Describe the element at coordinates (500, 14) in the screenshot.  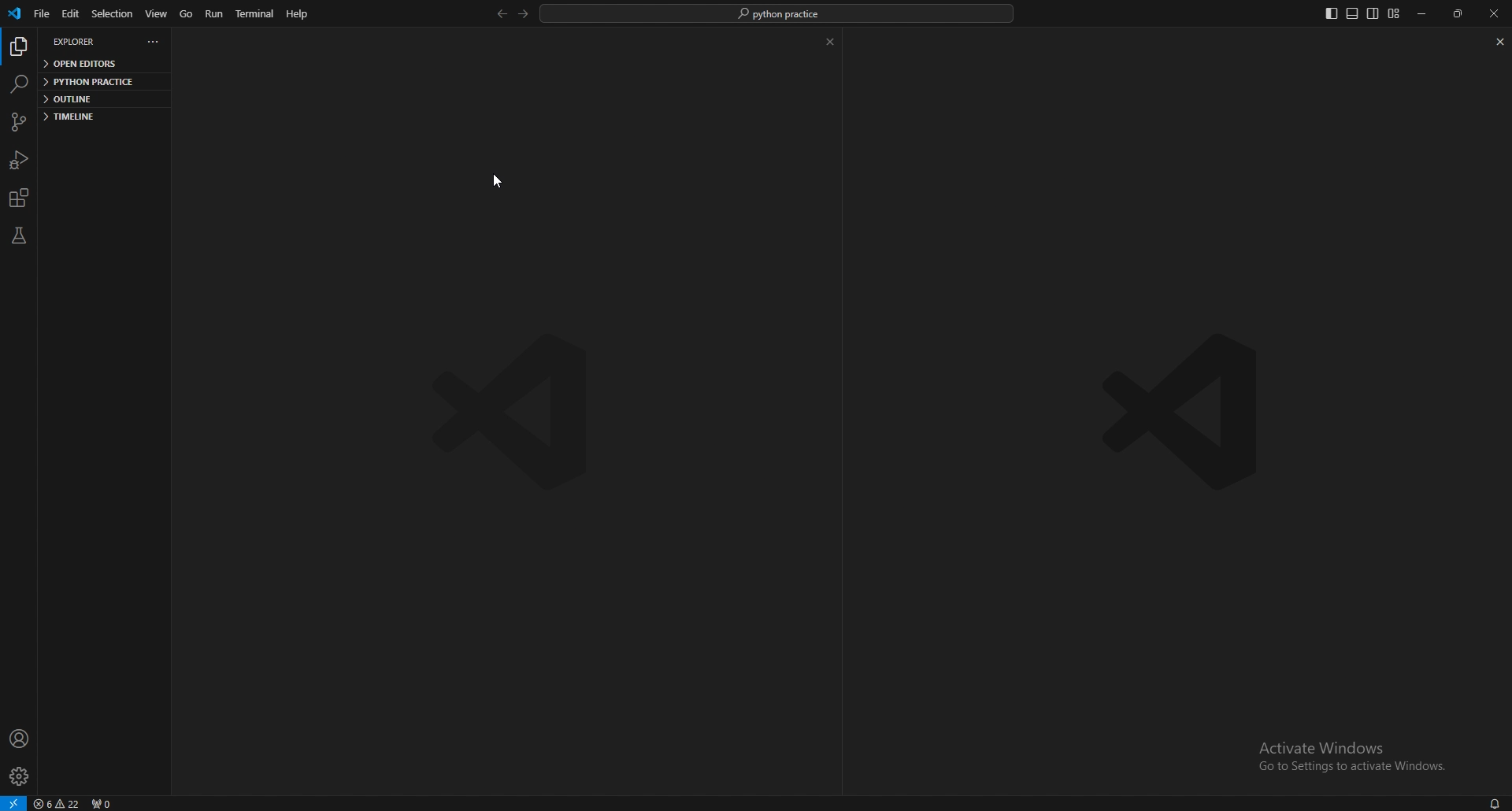
I see `back` at that location.